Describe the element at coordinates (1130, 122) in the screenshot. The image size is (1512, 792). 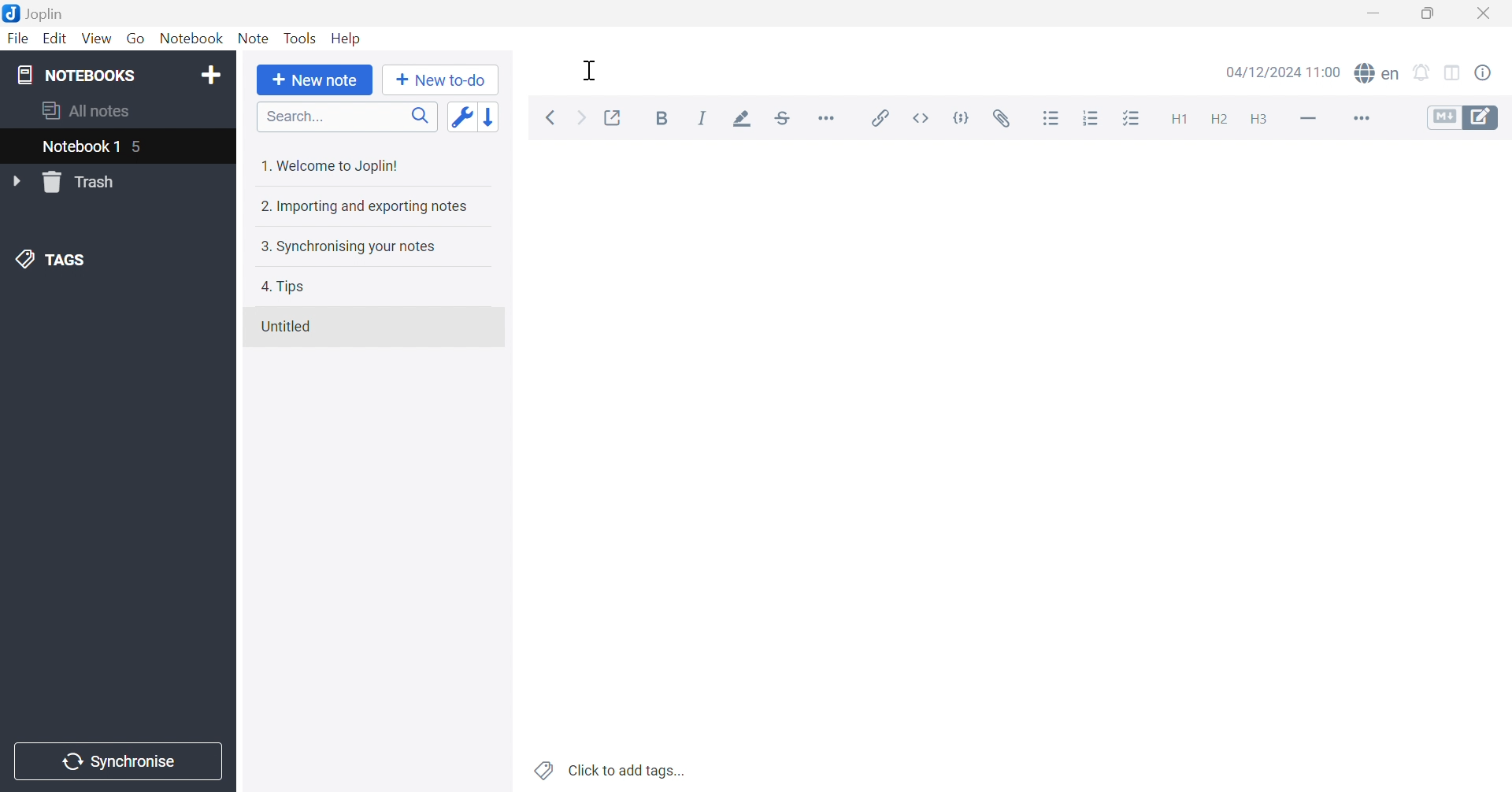
I see `Checkbox list` at that location.